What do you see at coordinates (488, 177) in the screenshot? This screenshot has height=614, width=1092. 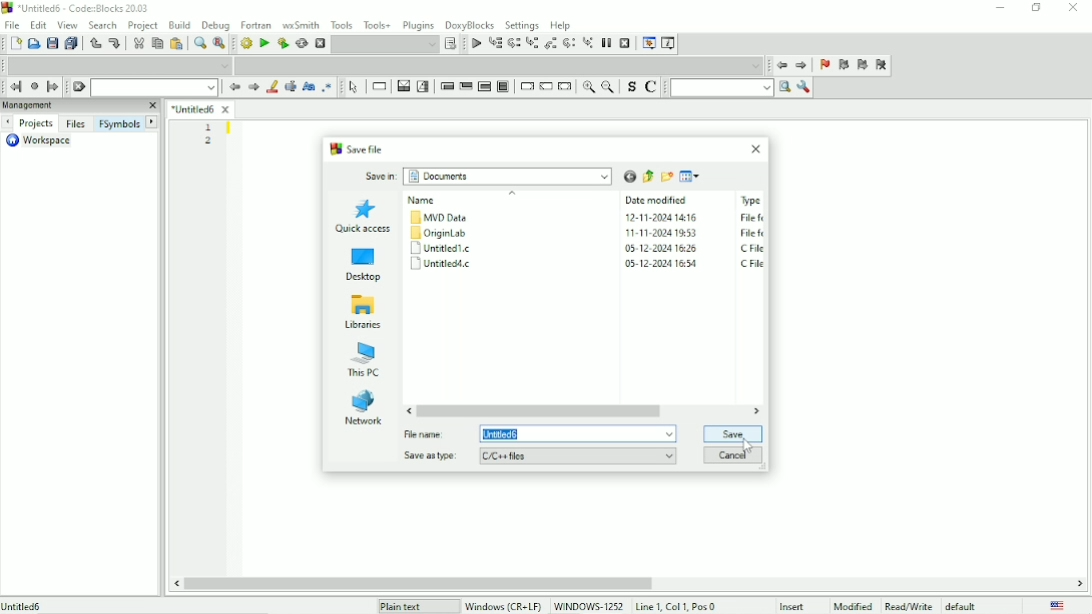 I see `Save in` at bounding box center [488, 177].